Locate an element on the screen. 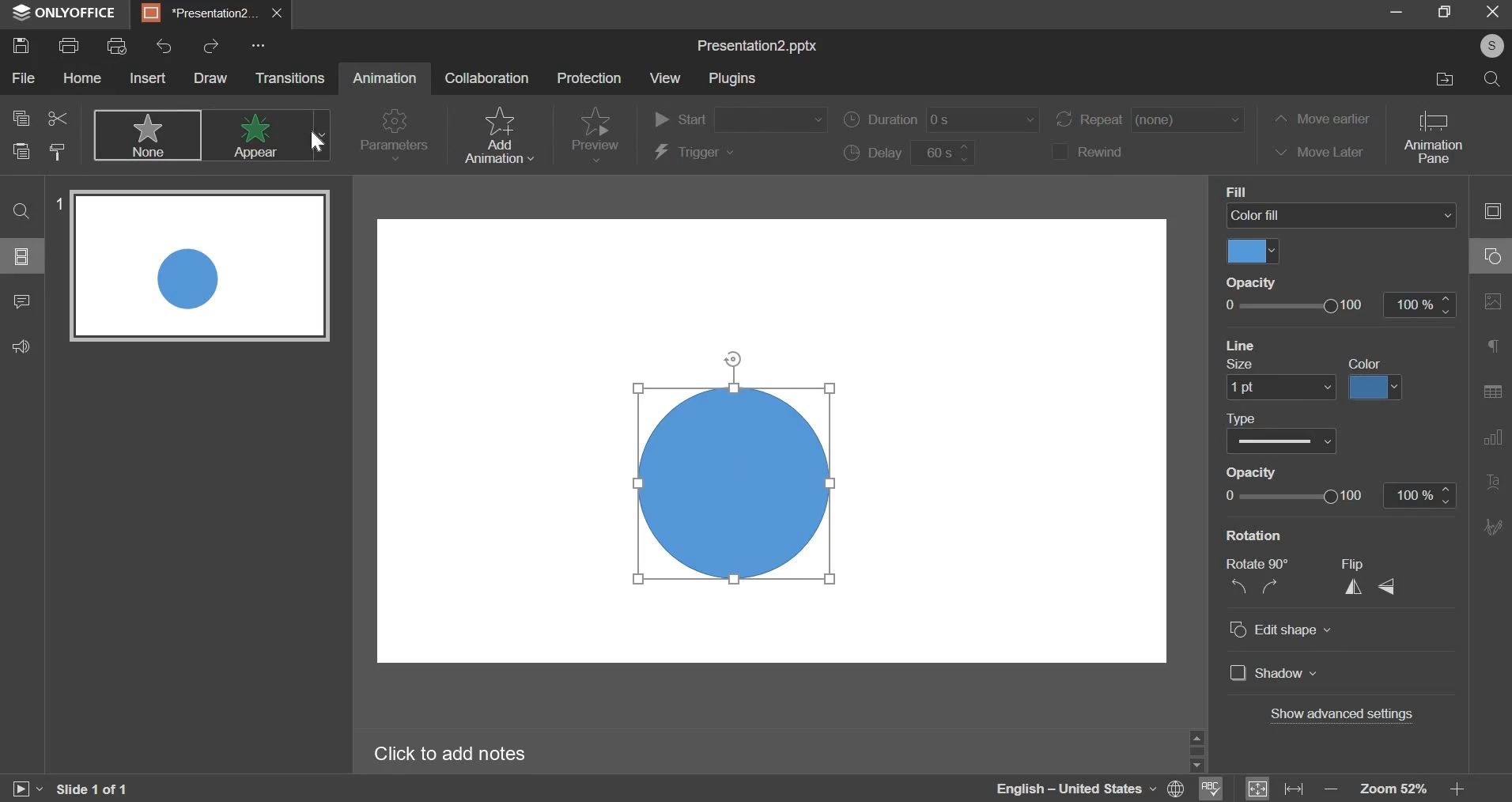  add animation is located at coordinates (498, 134).